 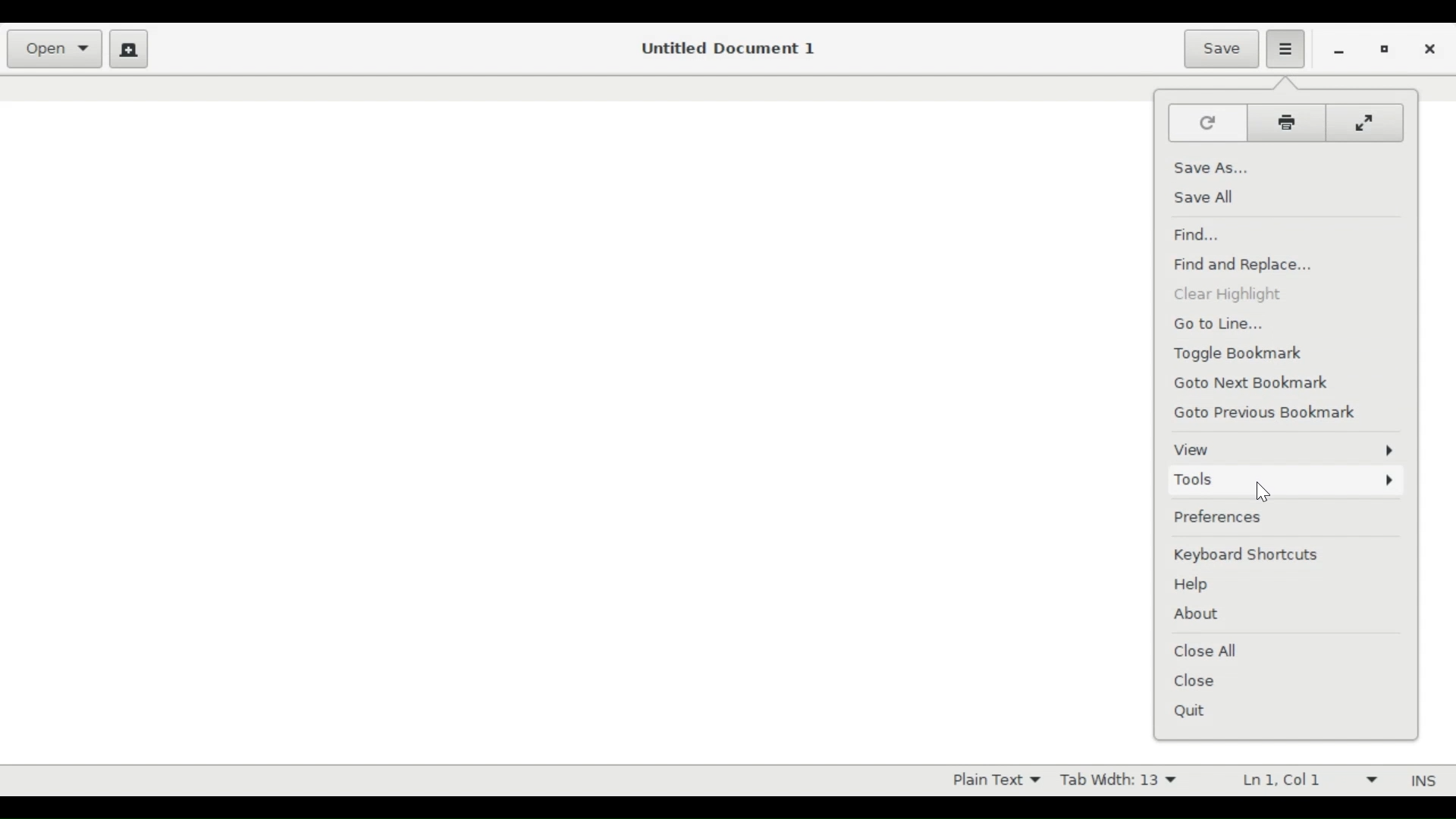 I want to click on INS, so click(x=1420, y=780).